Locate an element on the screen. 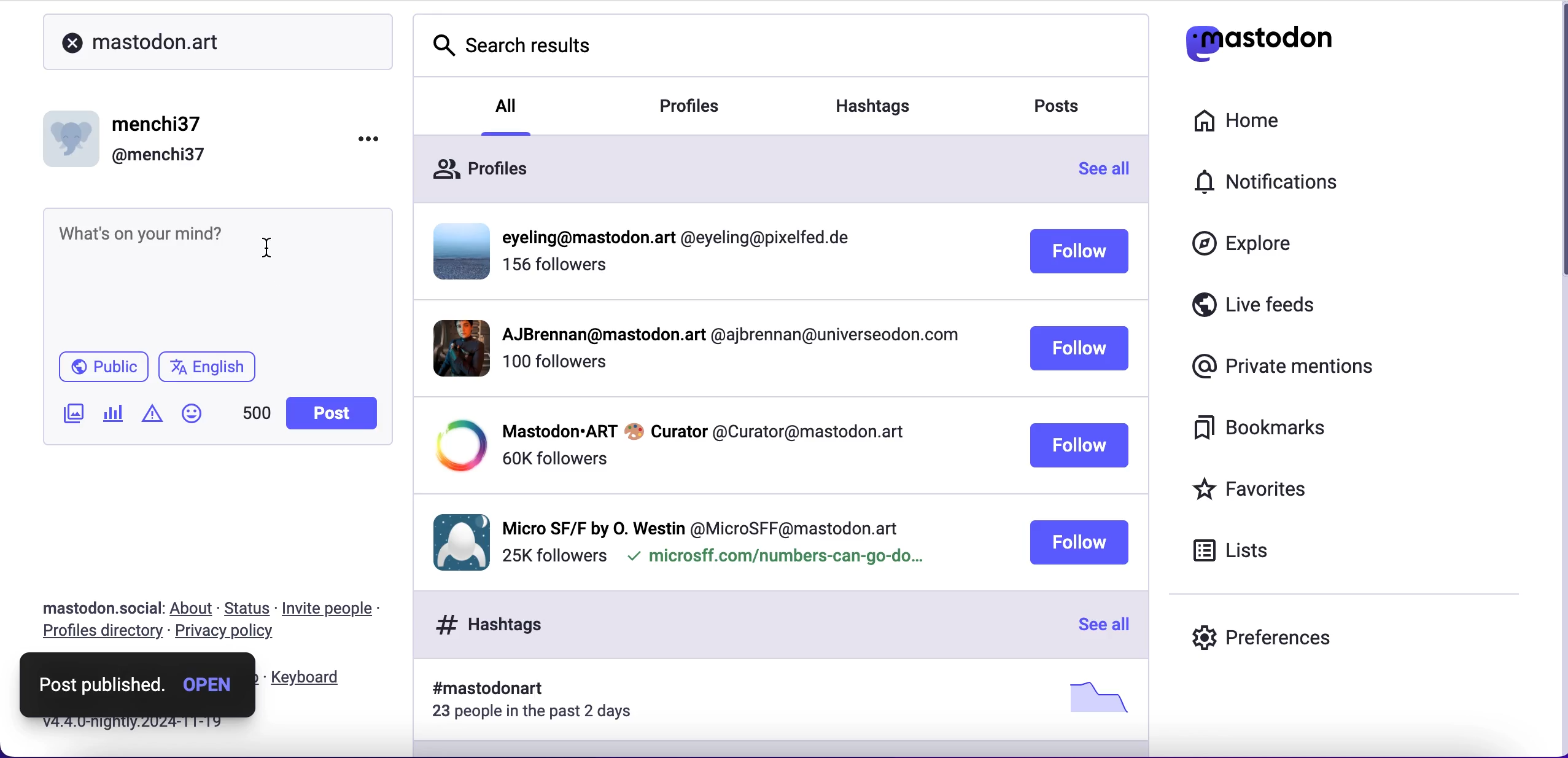 This screenshot has width=1568, height=758. preferences is located at coordinates (1270, 637).